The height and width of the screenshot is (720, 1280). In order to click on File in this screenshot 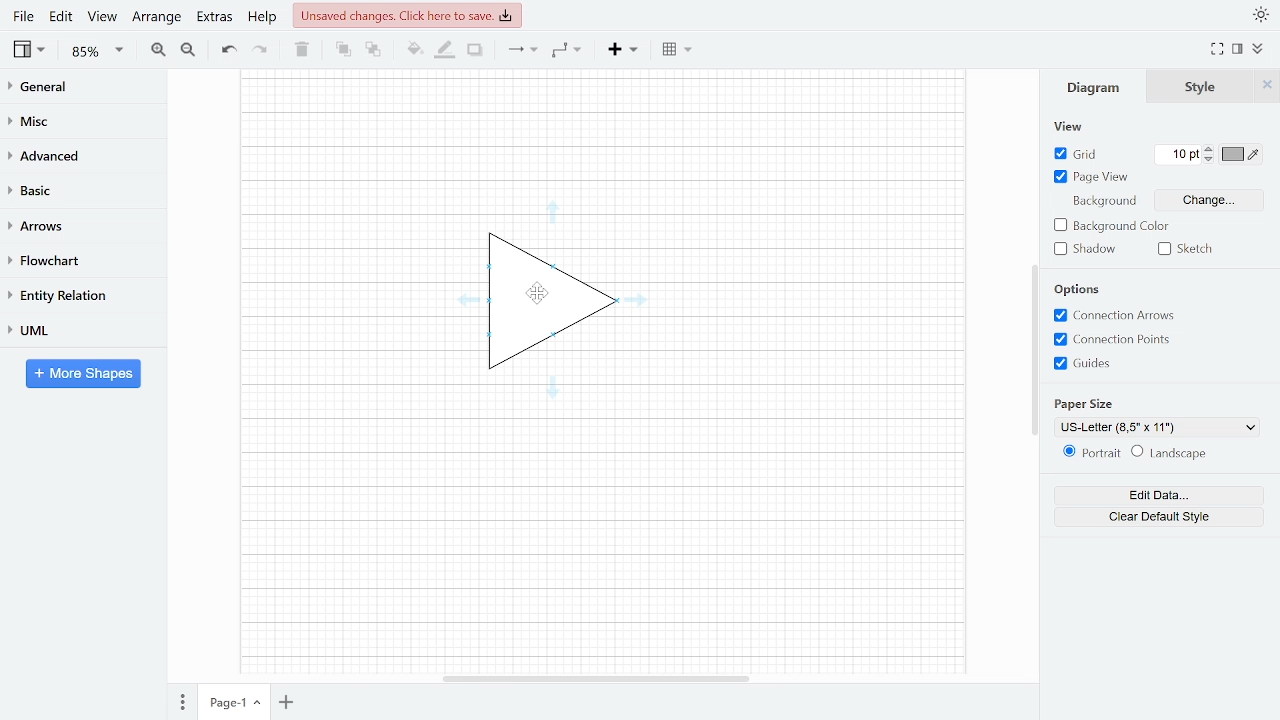, I will do `click(23, 16)`.